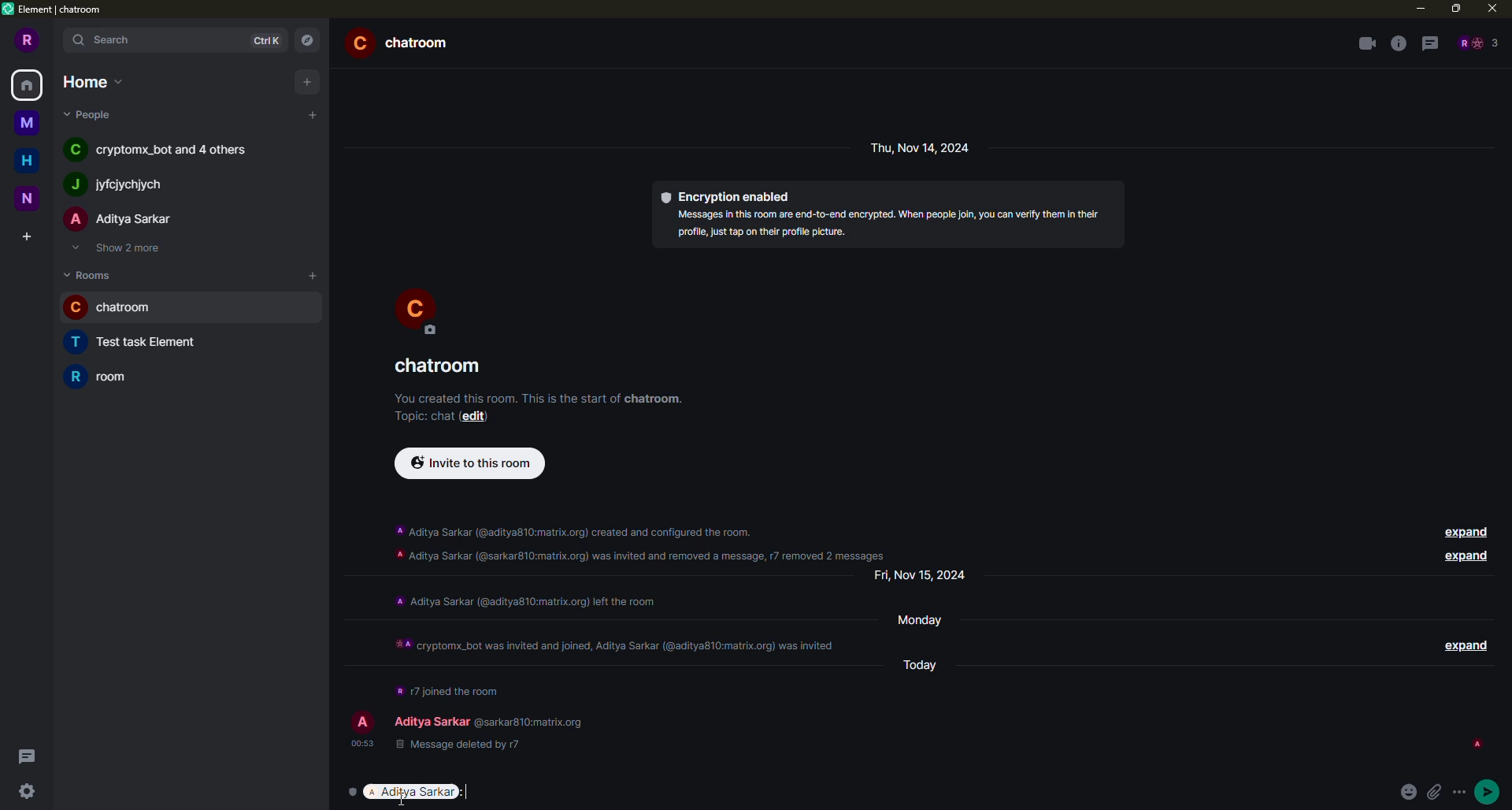  I want to click on day, so click(928, 619).